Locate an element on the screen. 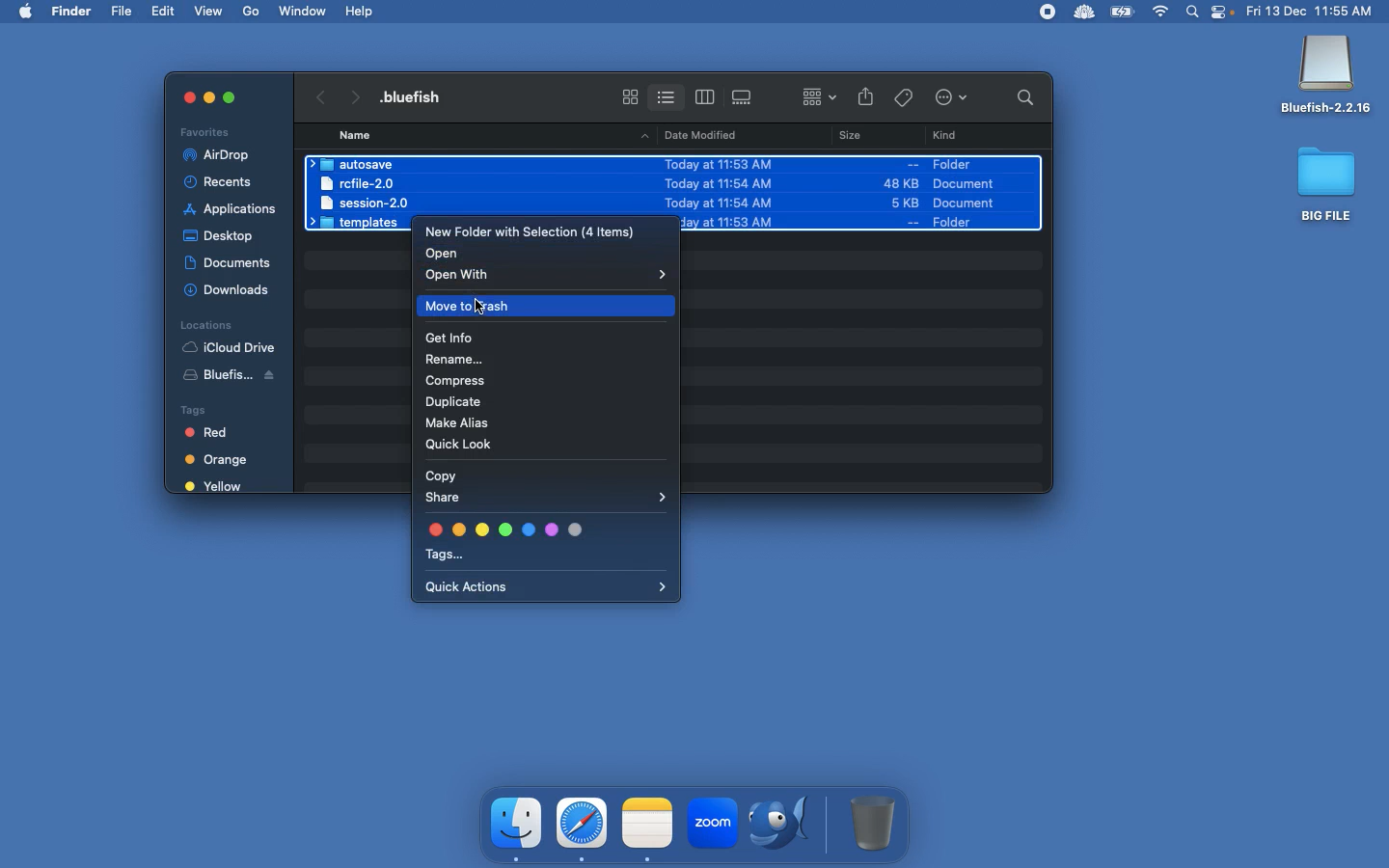 This screenshot has width=1389, height=868. Trash is located at coordinates (874, 823).